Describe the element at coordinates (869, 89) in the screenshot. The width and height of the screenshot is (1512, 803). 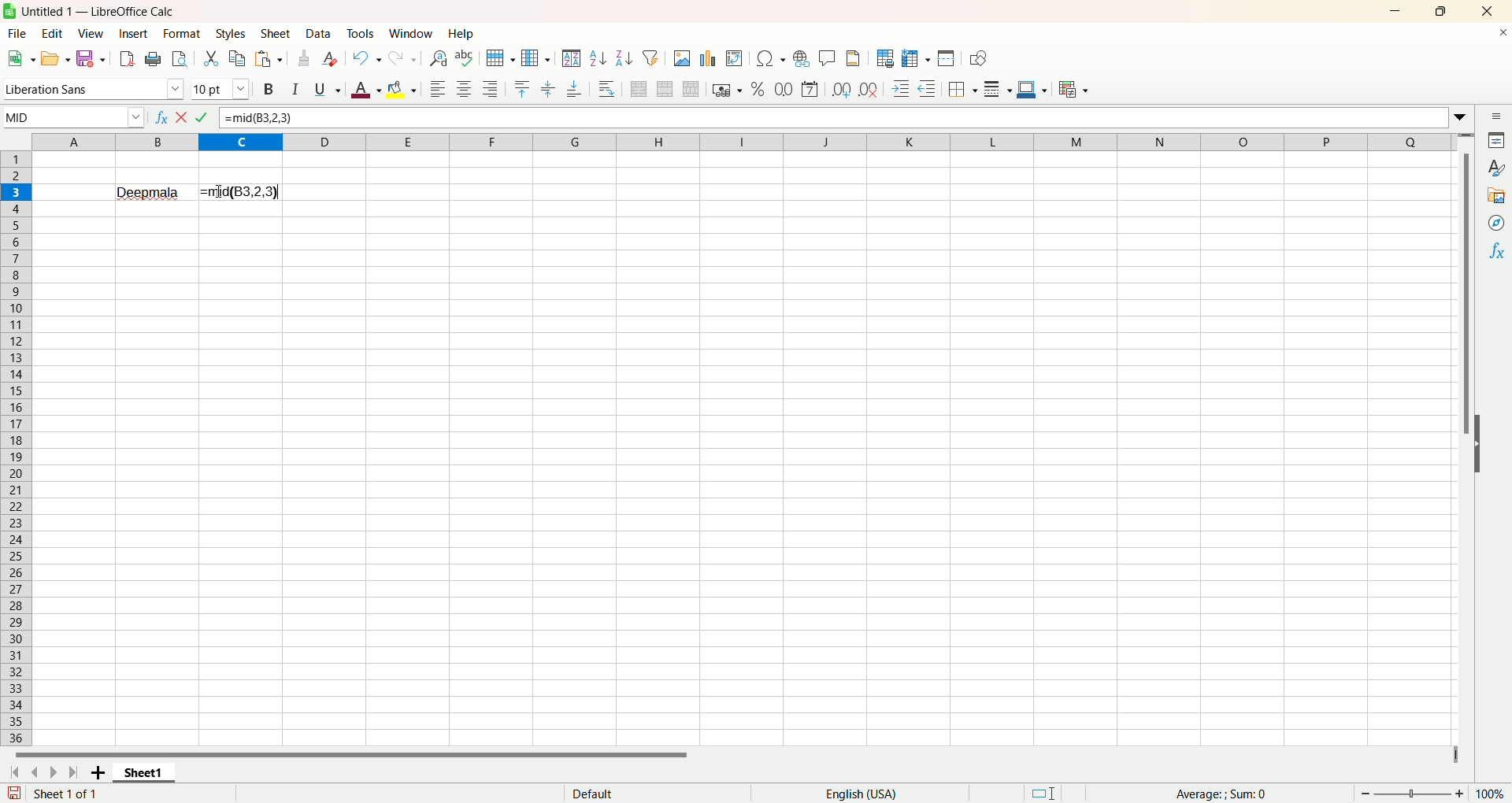
I see `Delete decimal place` at that location.